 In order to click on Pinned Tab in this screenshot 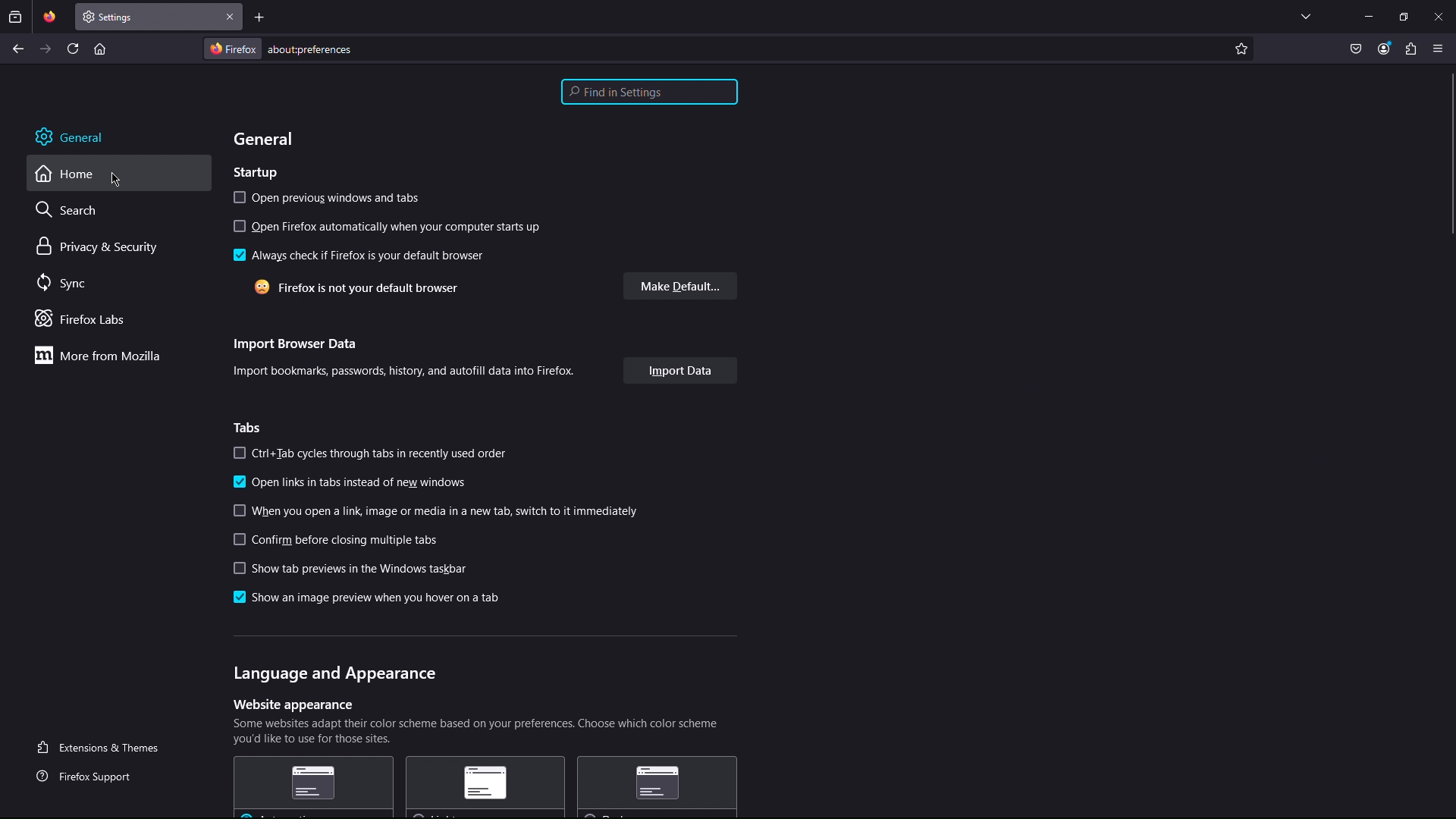, I will do `click(49, 17)`.